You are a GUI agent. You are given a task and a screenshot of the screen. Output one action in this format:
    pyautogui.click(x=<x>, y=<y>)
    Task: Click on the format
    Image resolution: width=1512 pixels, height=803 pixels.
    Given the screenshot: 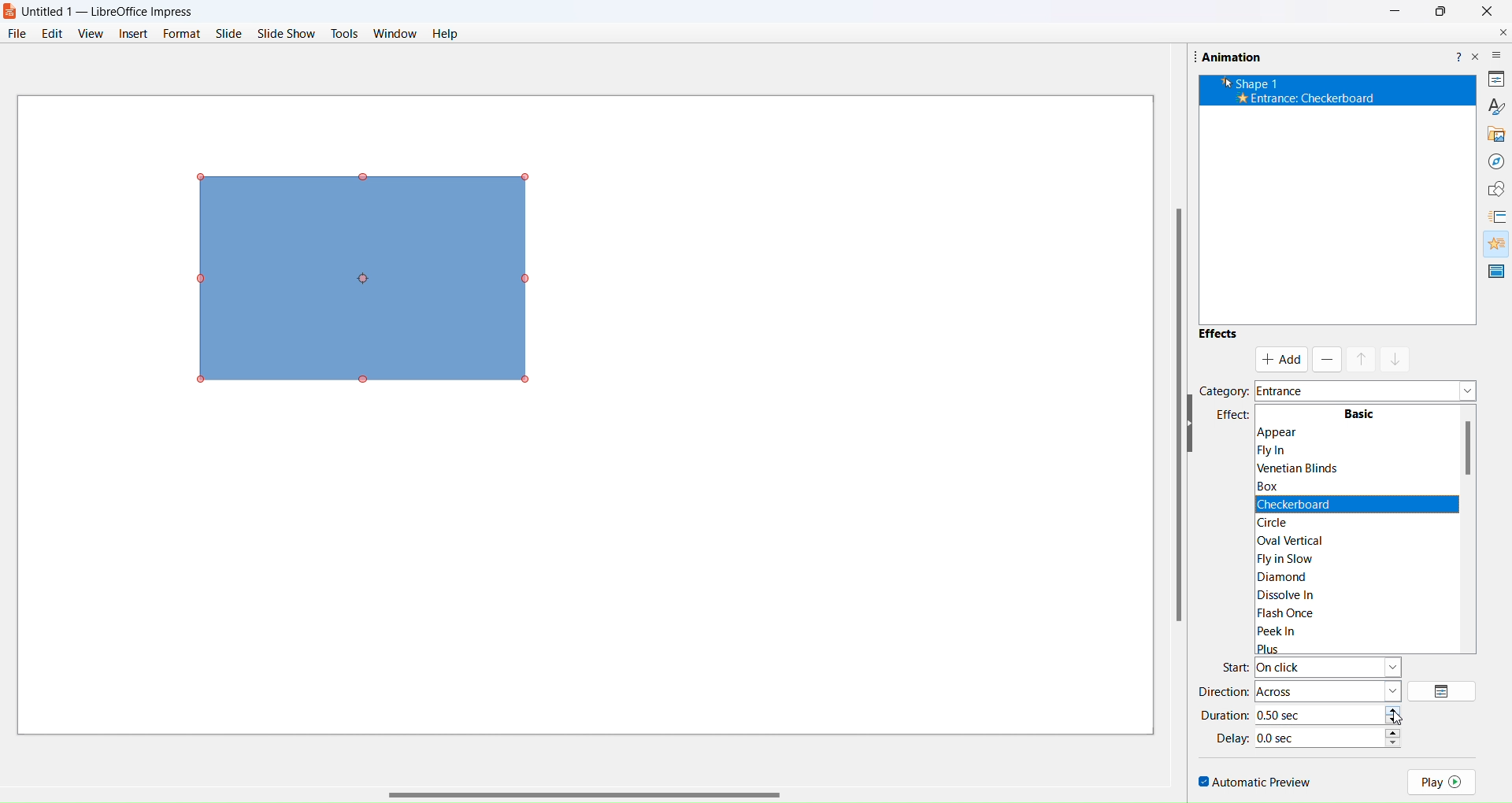 What is the action you would take?
    pyautogui.click(x=180, y=32)
    